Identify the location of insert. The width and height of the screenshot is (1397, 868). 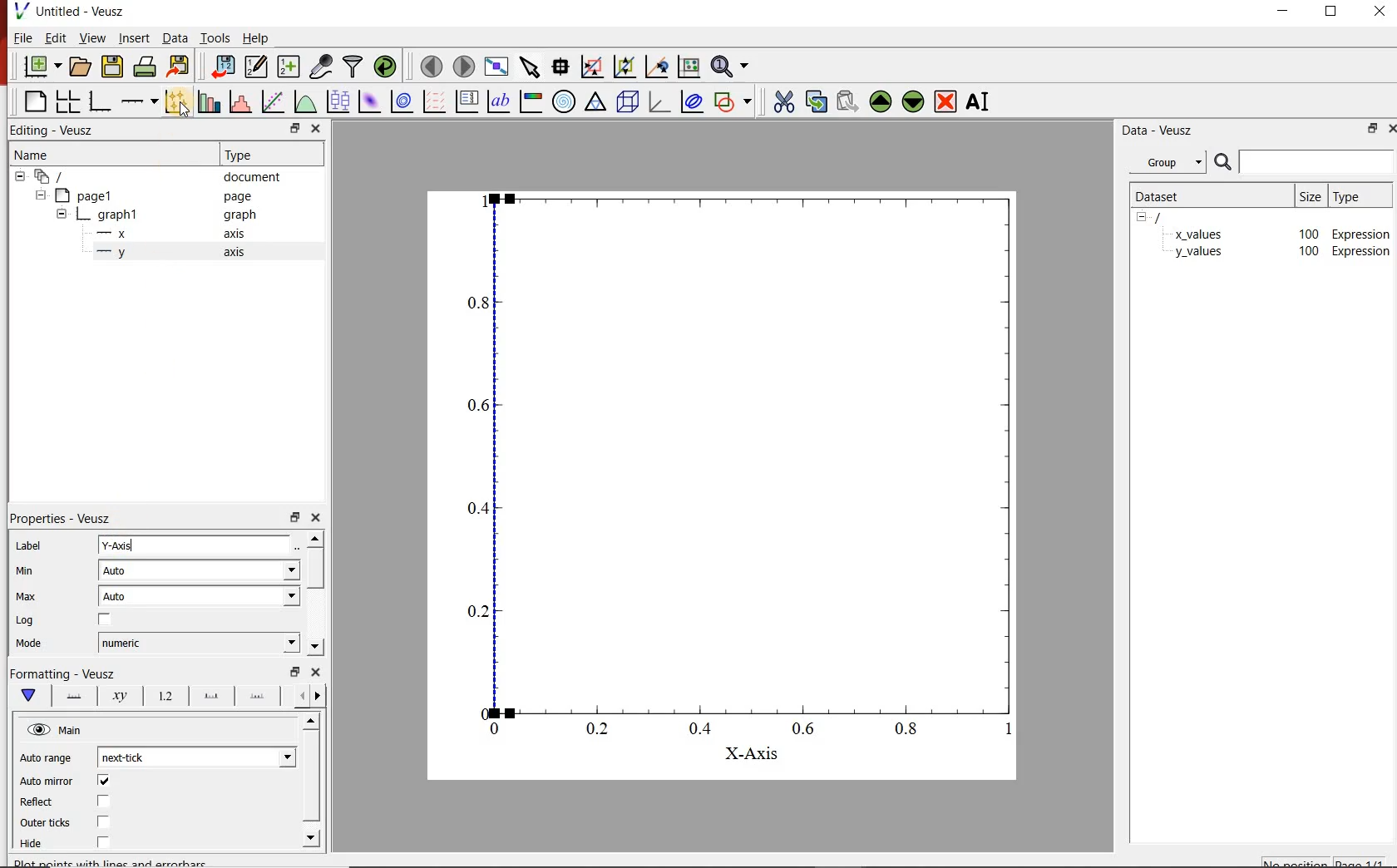
(134, 37).